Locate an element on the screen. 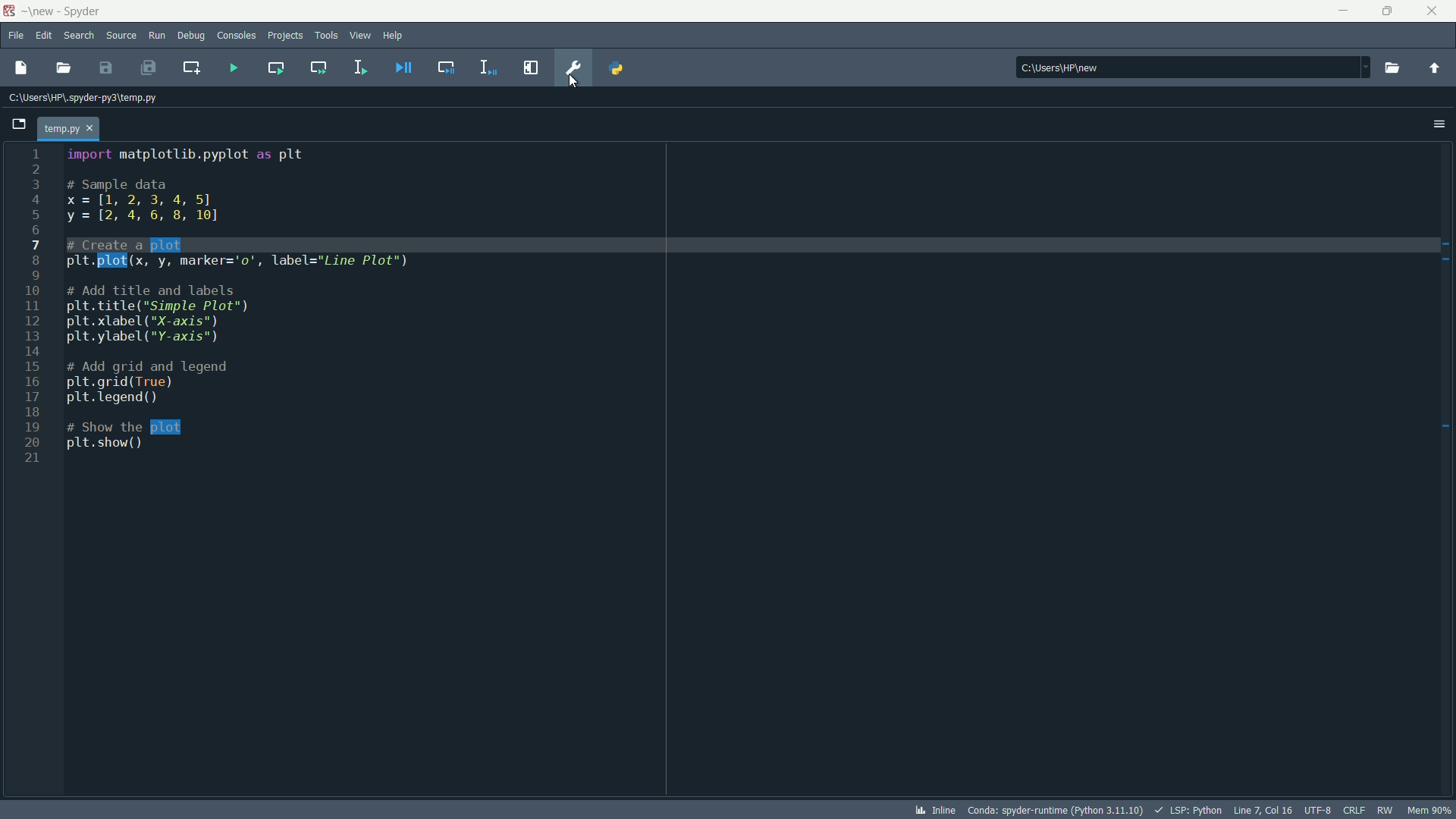  debug cell is located at coordinates (444, 68).